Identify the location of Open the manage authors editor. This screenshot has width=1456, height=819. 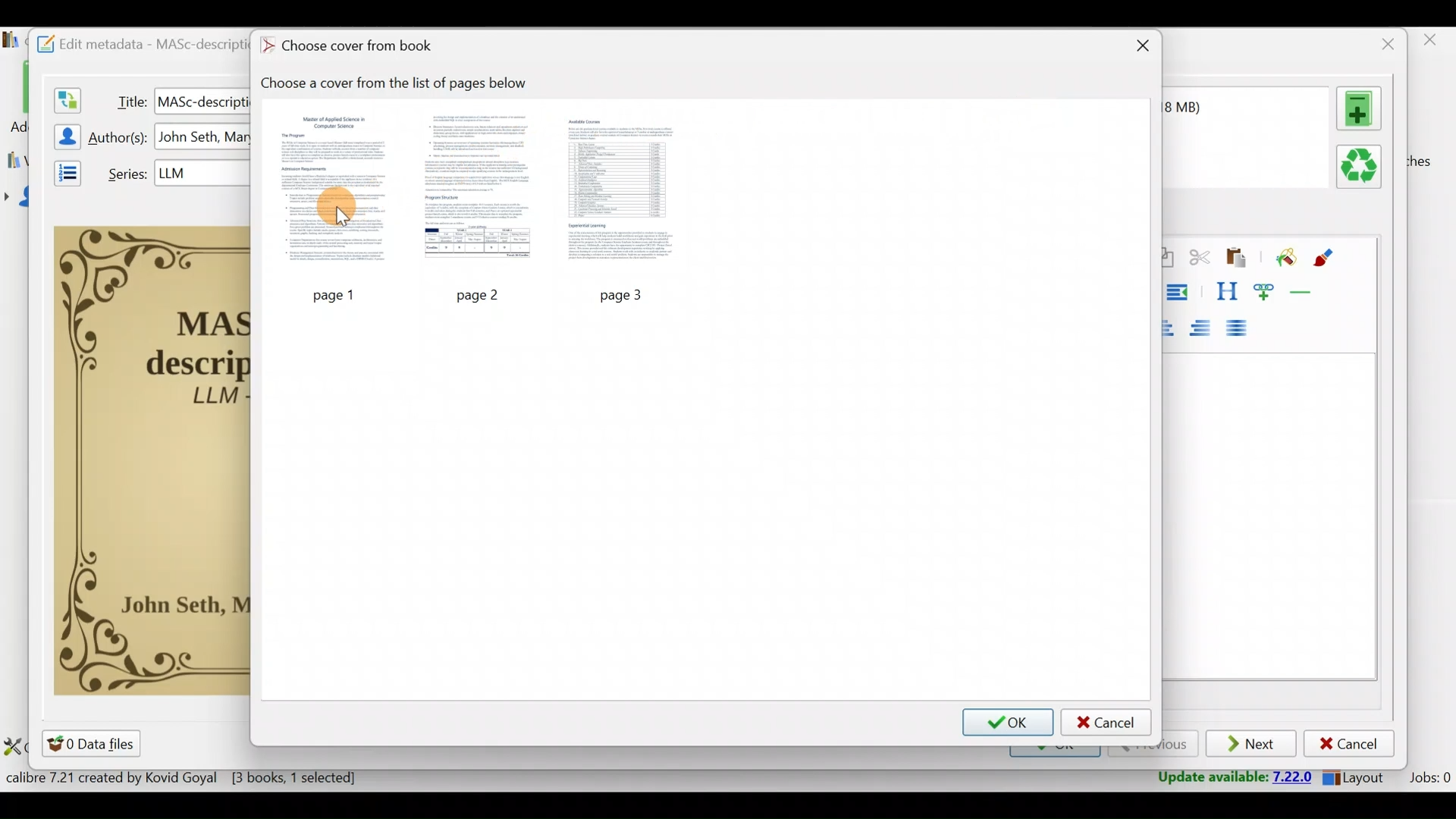
(63, 134).